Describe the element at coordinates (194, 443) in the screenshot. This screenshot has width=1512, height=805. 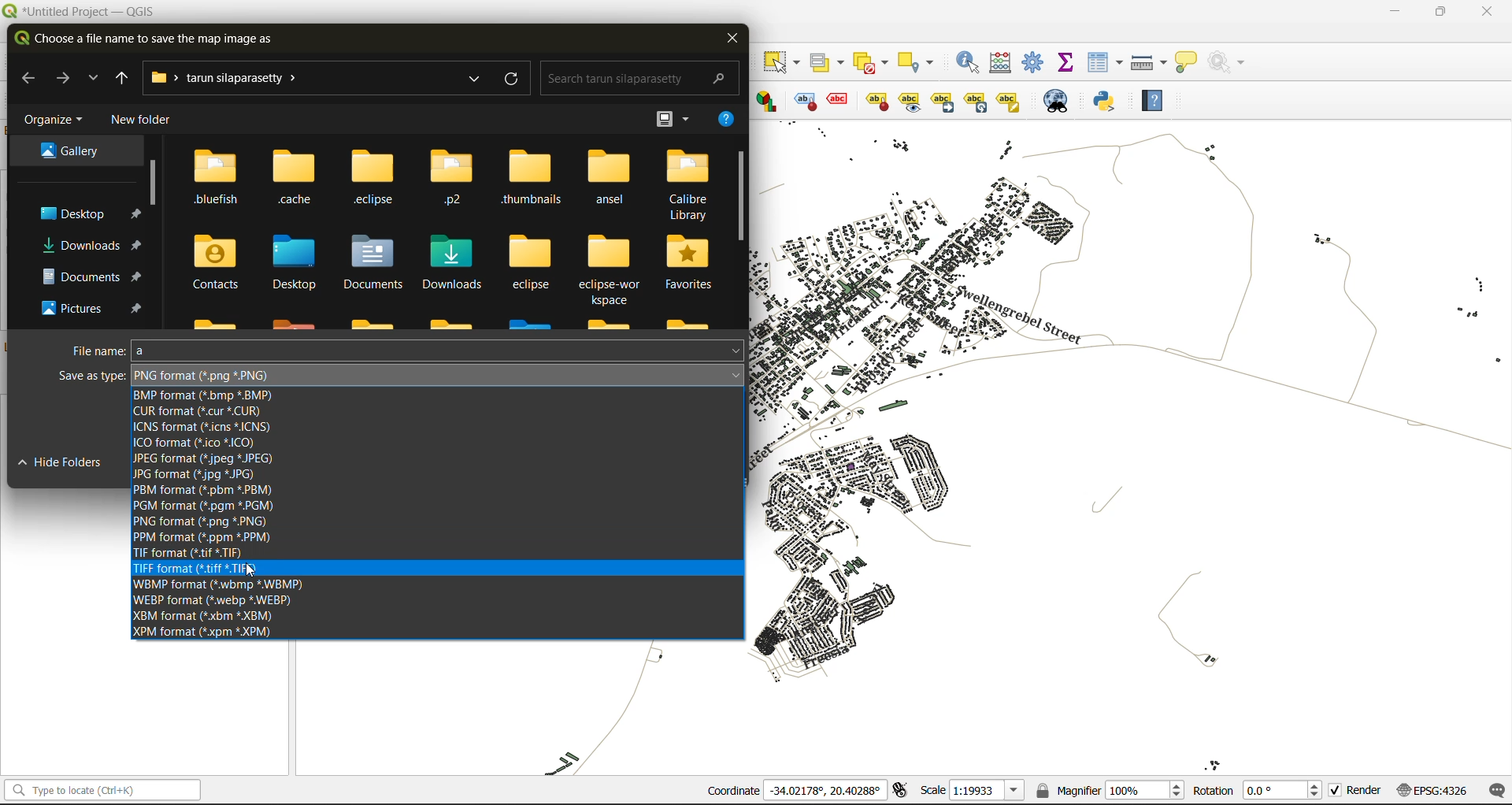
I see `ico` at that location.